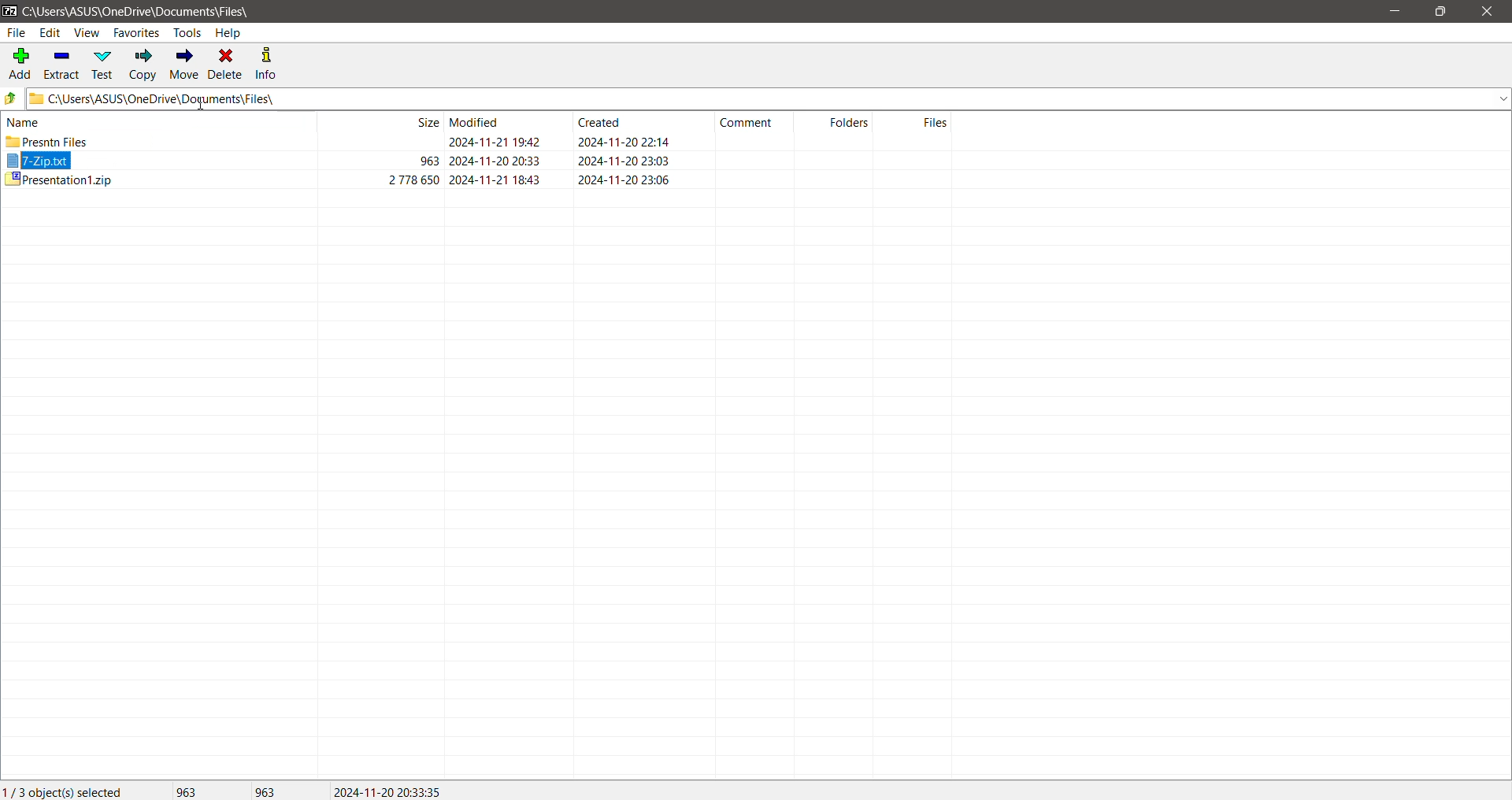 This screenshot has height=800, width=1512. Describe the element at coordinates (768, 99) in the screenshot. I see `Current Folder Path` at that location.